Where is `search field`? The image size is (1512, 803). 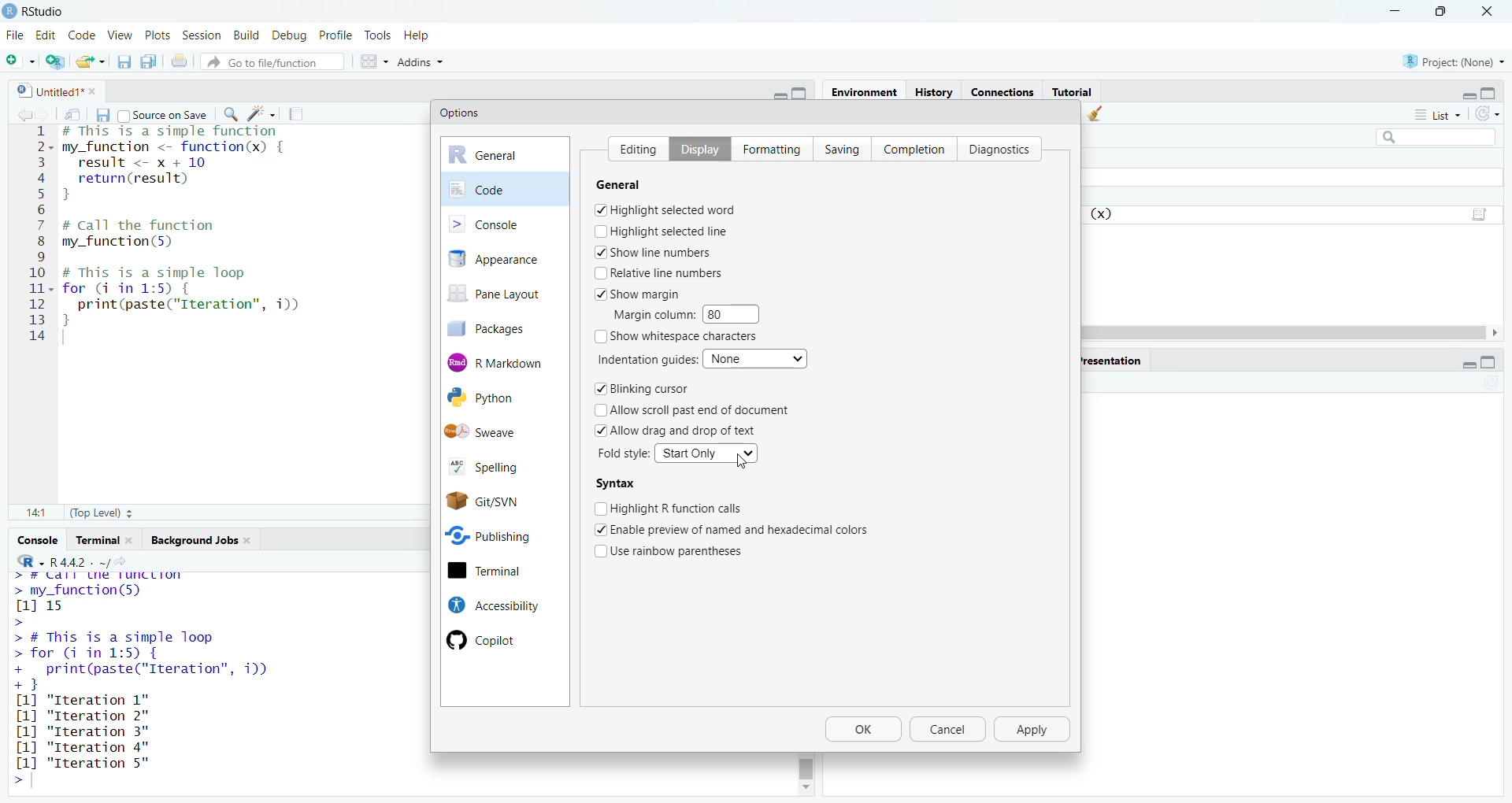
search field is located at coordinates (1432, 136).